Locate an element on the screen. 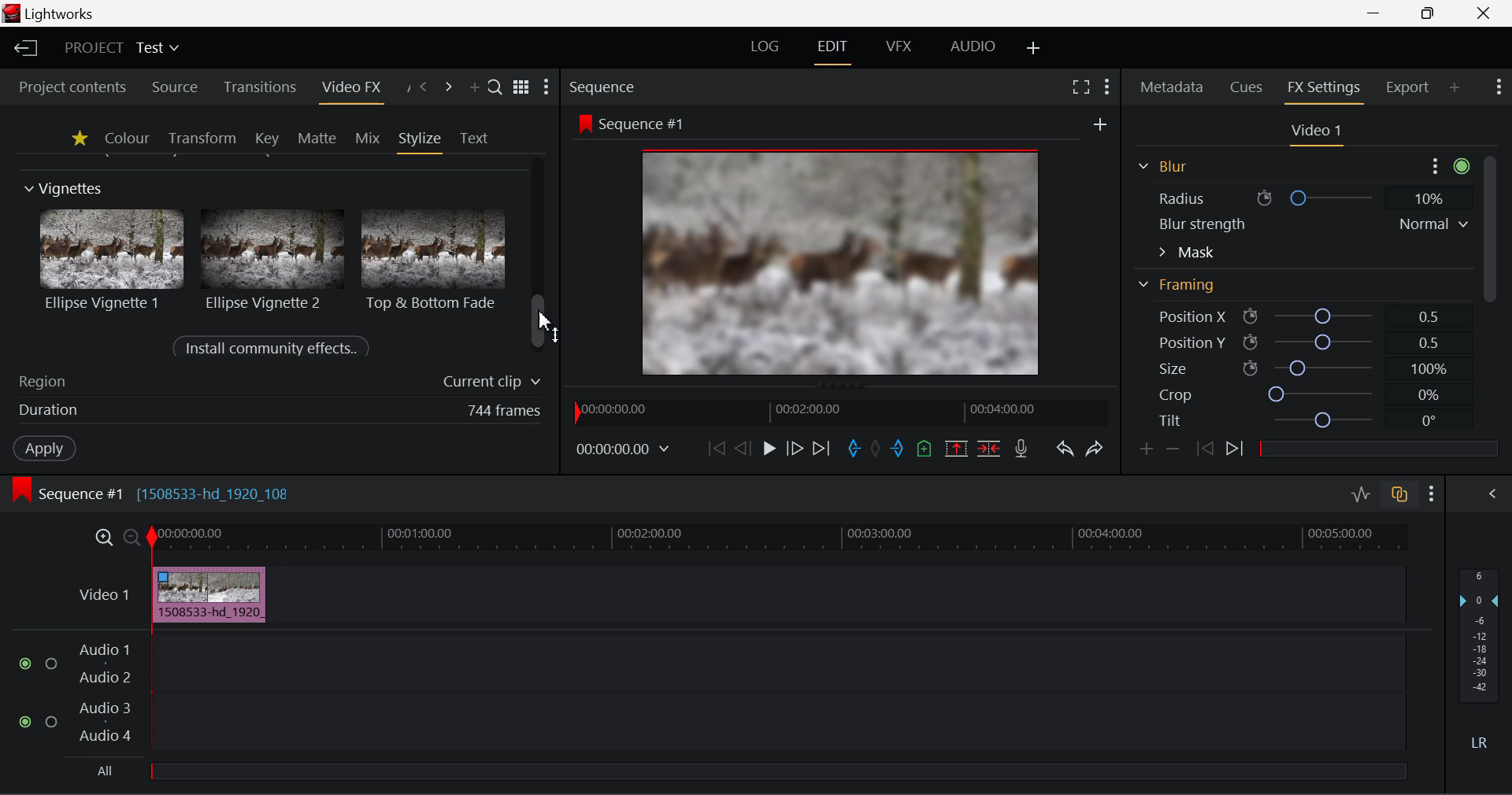 The width and height of the screenshot is (1512, 795). Close is located at coordinates (1482, 13).